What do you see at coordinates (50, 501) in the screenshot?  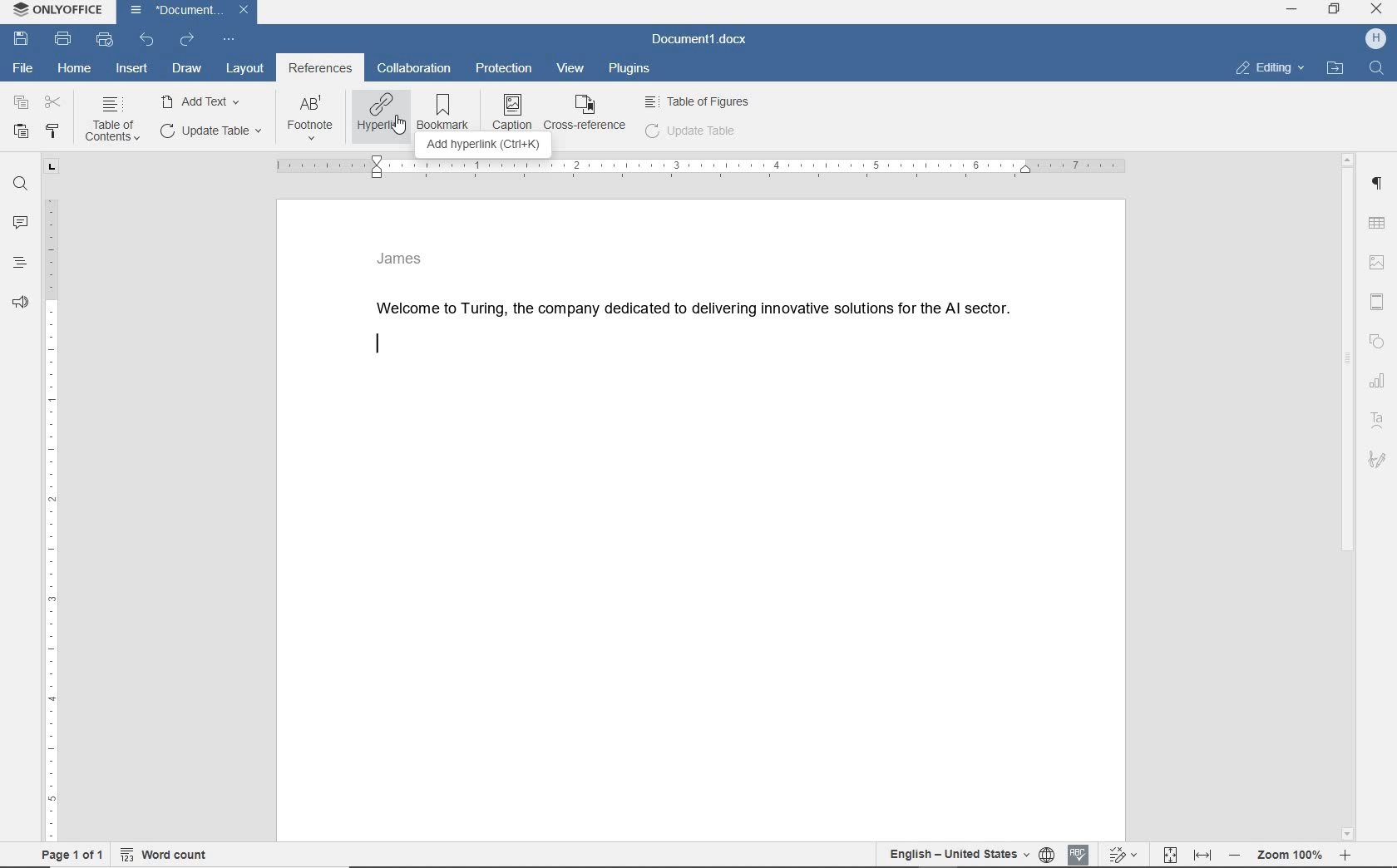 I see `ruler` at bounding box center [50, 501].